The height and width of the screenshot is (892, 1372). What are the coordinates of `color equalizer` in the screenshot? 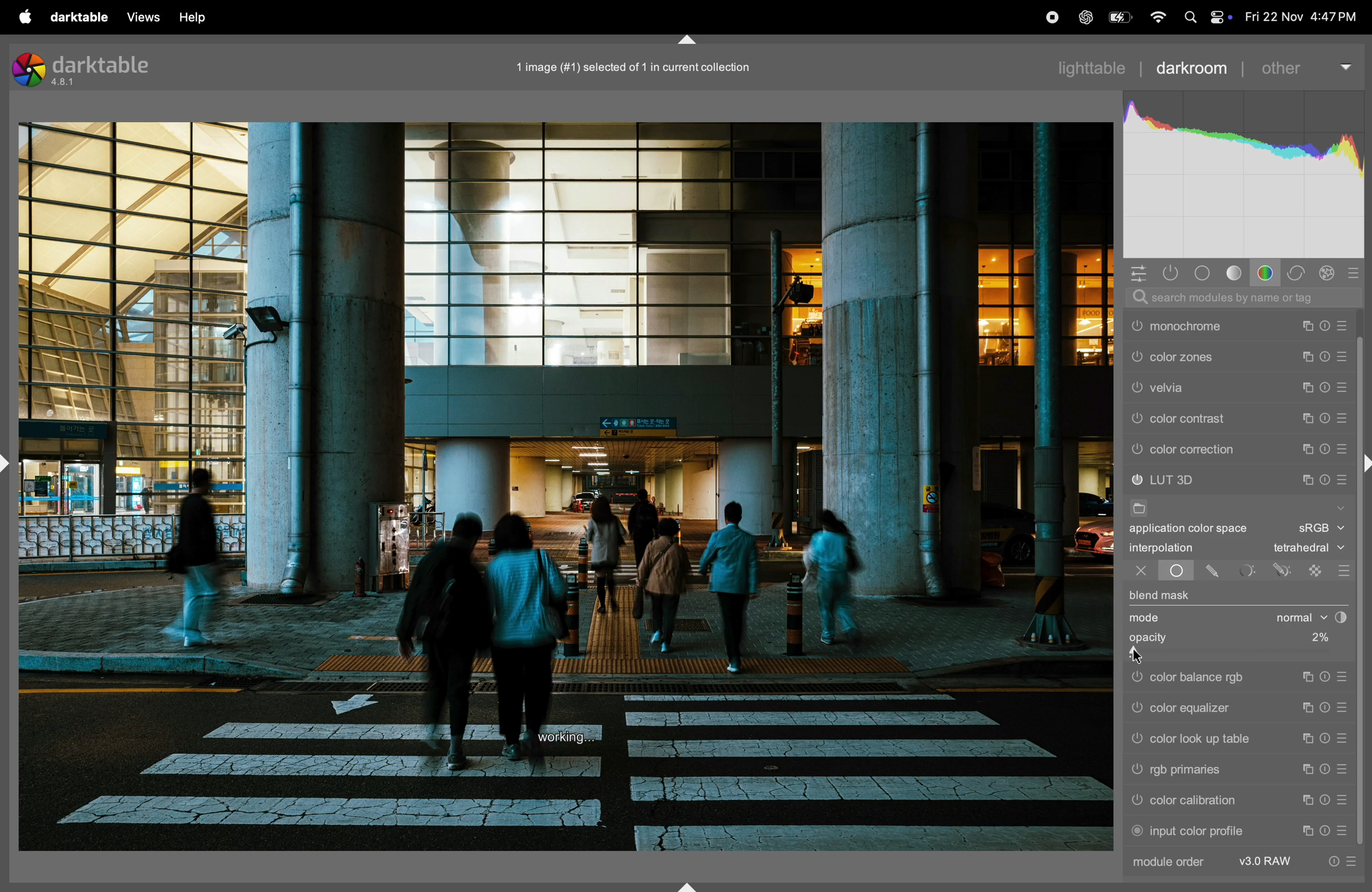 It's located at (1211, 709).